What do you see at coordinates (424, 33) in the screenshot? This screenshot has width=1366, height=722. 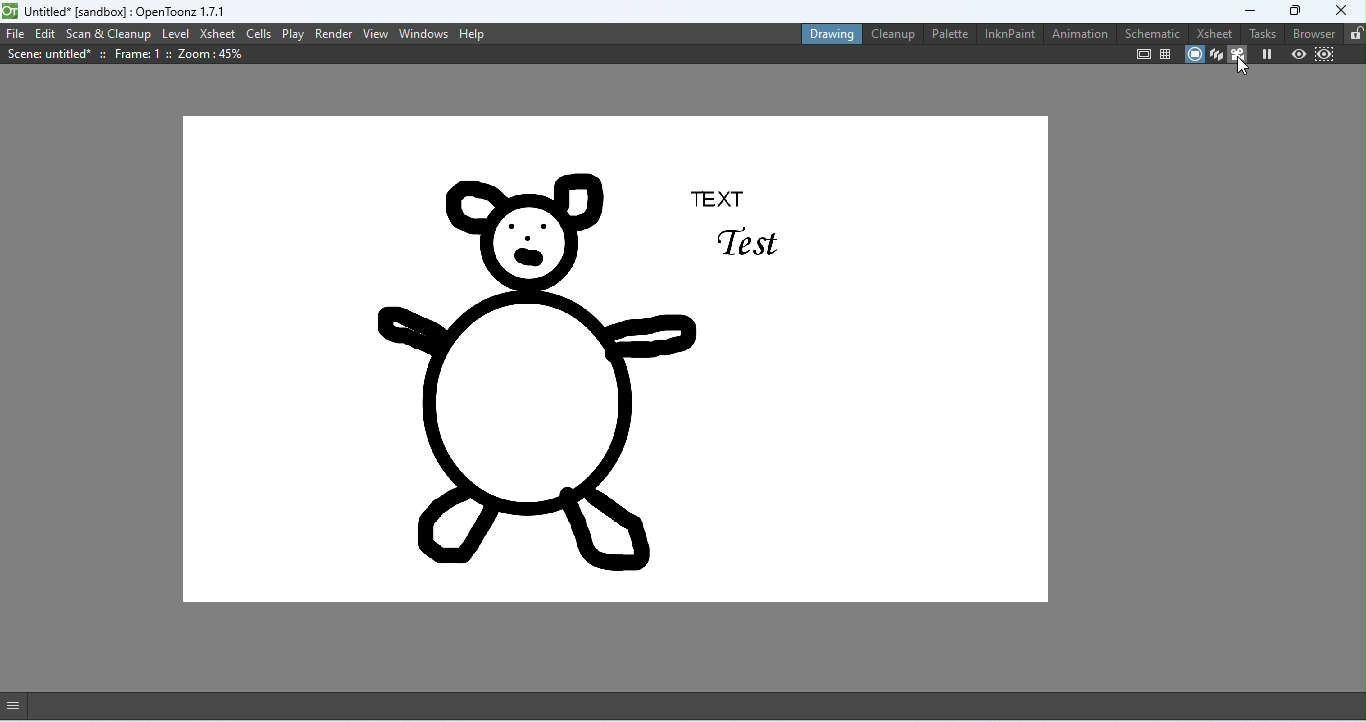 I see `windows` at bounding box center [424, 33].